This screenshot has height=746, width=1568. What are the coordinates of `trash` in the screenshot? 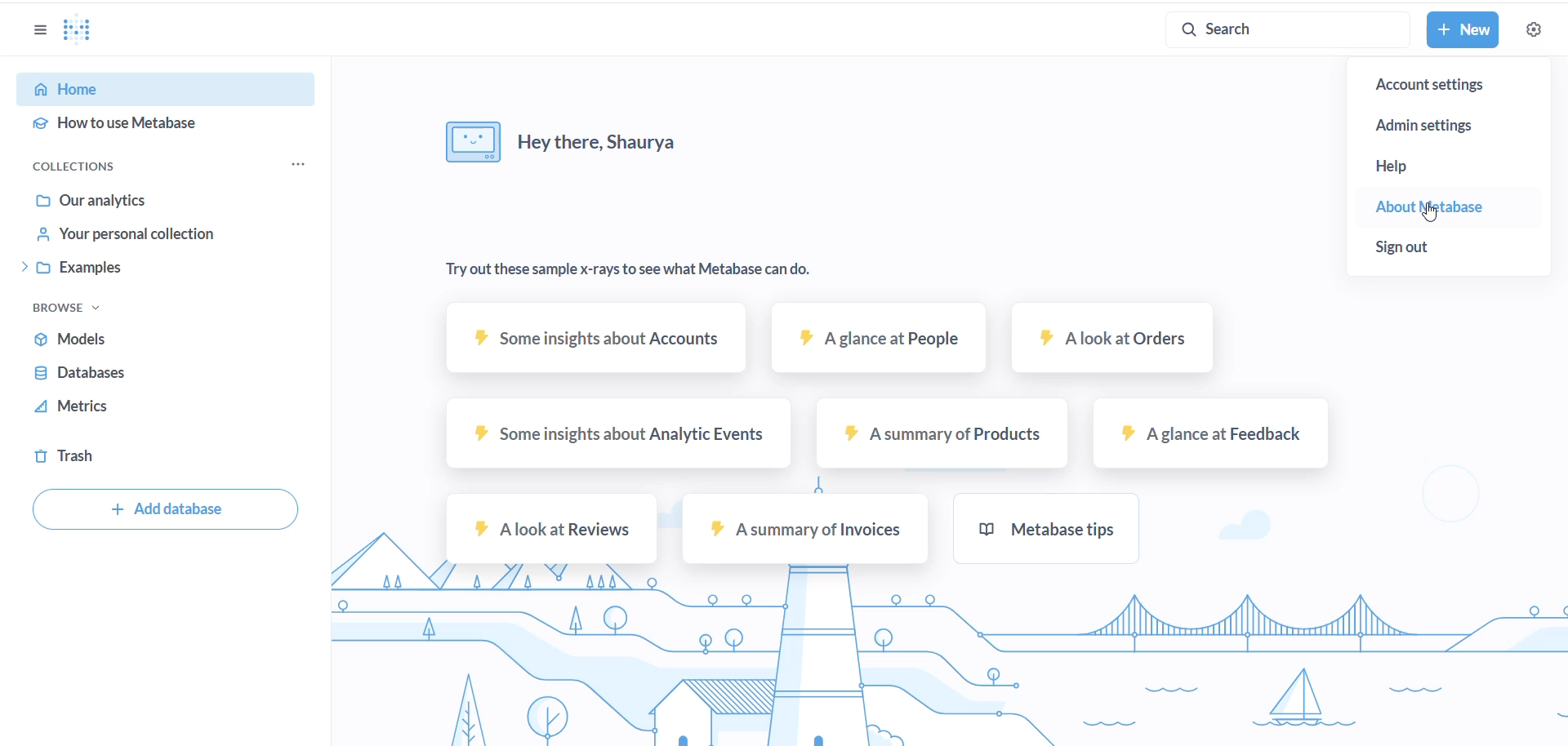 It's located at (155, 458).